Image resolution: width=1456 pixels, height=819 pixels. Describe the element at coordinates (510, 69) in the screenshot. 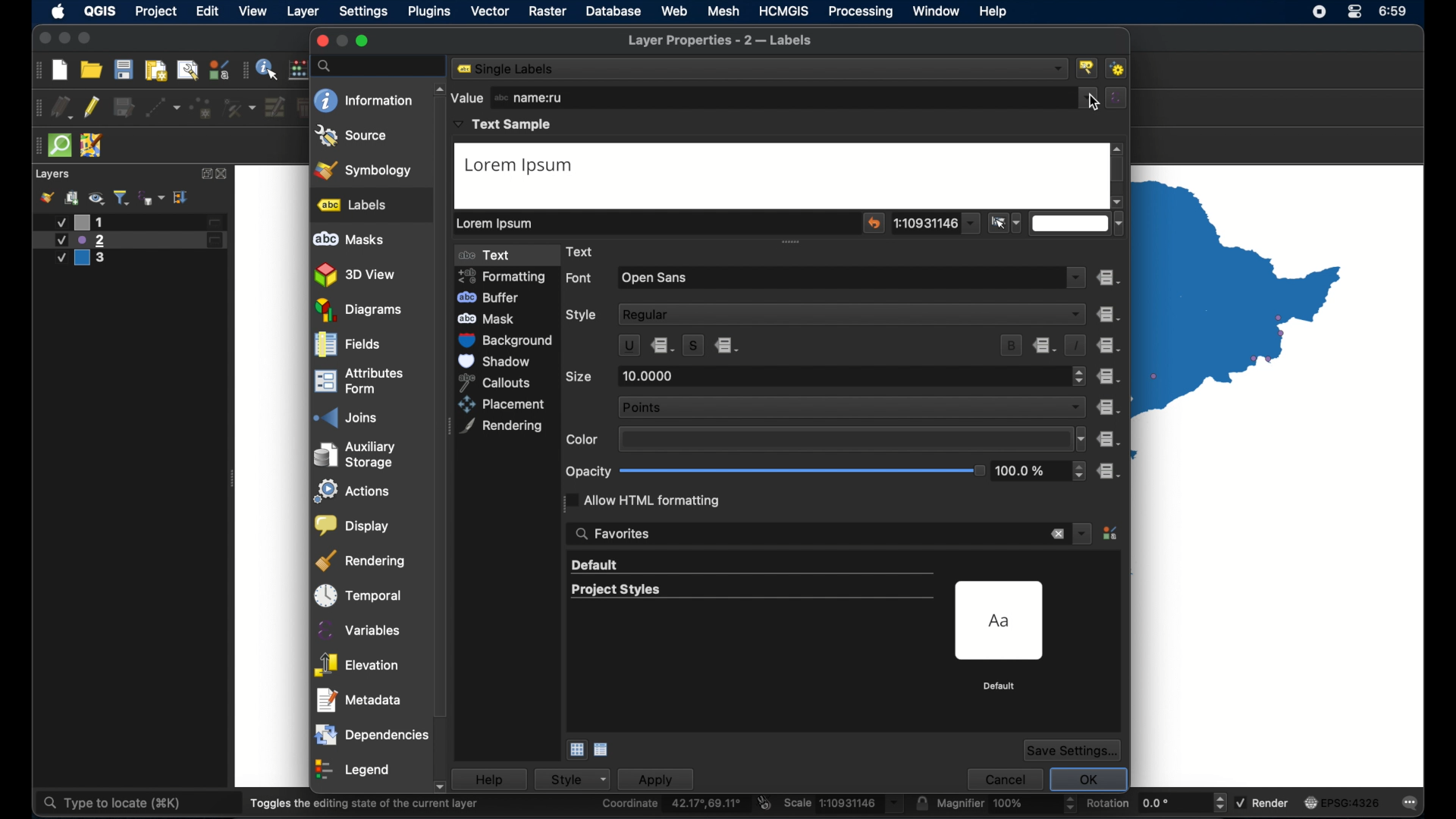

I see `no labels` at that location.